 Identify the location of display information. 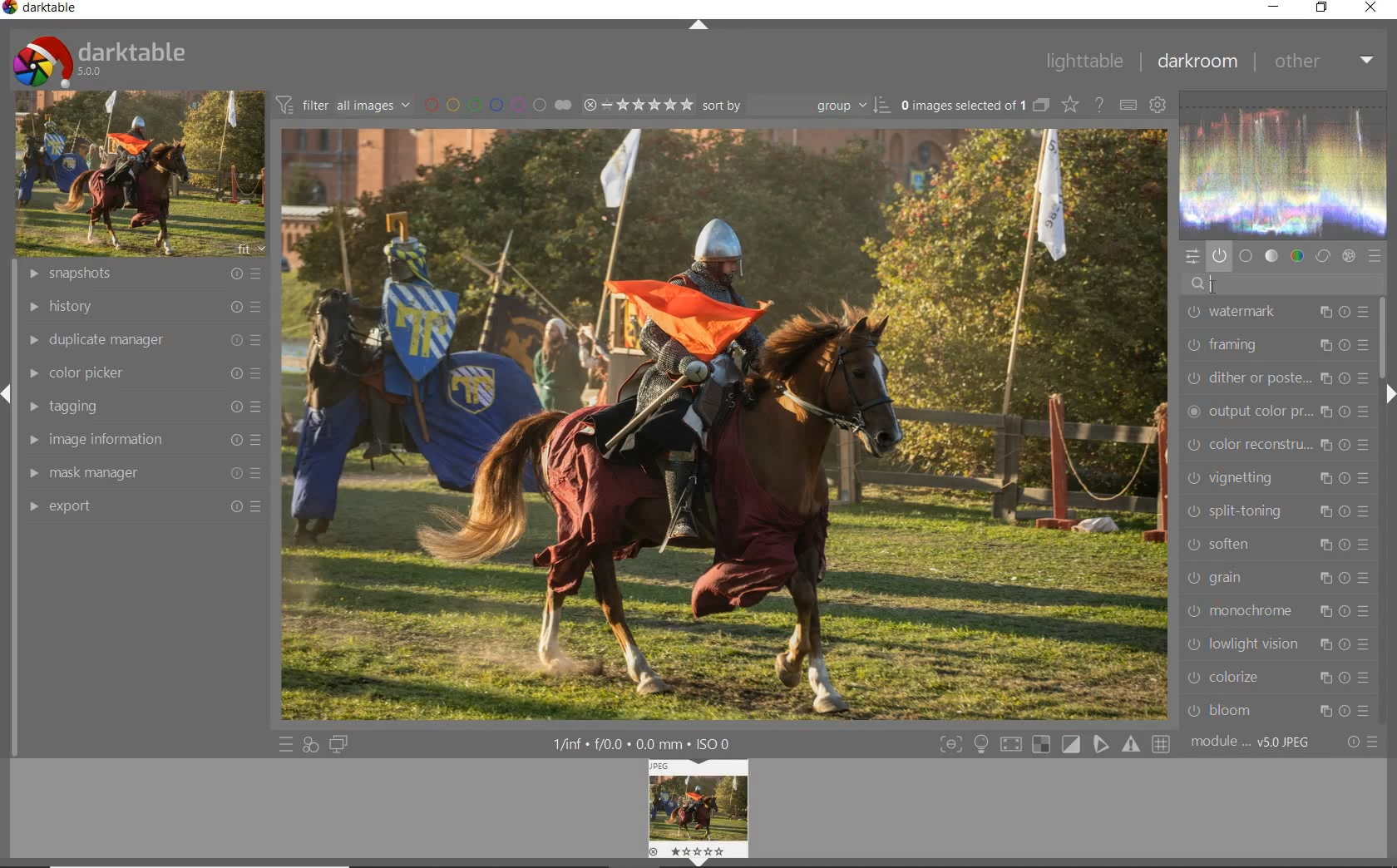
(650, 743).